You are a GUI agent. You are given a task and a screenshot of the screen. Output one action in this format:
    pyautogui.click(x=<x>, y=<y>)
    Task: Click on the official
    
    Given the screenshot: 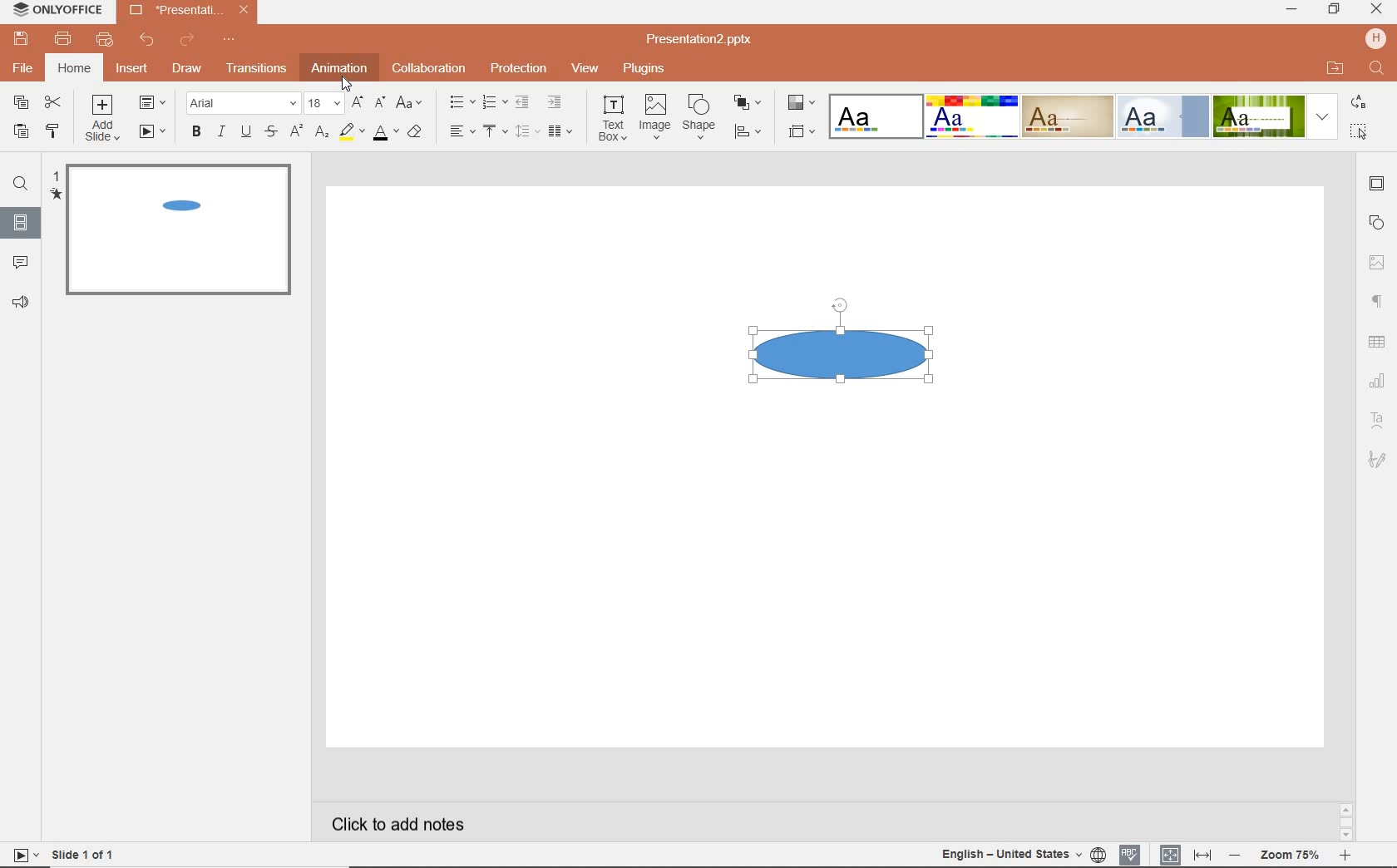 What is the action you would take?
    pyautogui.click(x=1164, y=117)
    